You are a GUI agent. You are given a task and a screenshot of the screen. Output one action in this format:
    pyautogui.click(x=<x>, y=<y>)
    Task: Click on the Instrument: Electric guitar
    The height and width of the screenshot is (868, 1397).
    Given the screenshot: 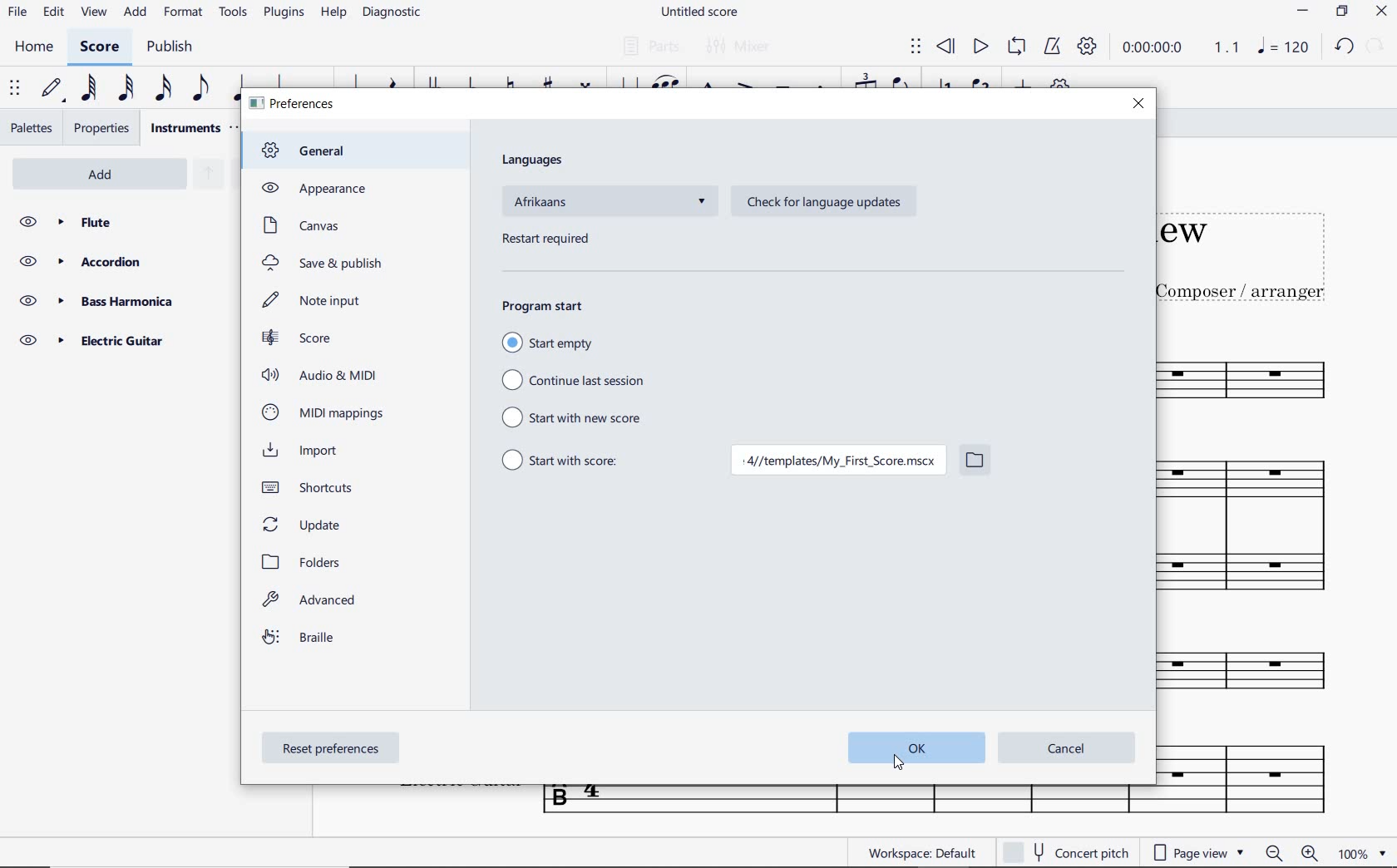 What is the action you would take?
    pyautogui.click(x=844, y=801)
    